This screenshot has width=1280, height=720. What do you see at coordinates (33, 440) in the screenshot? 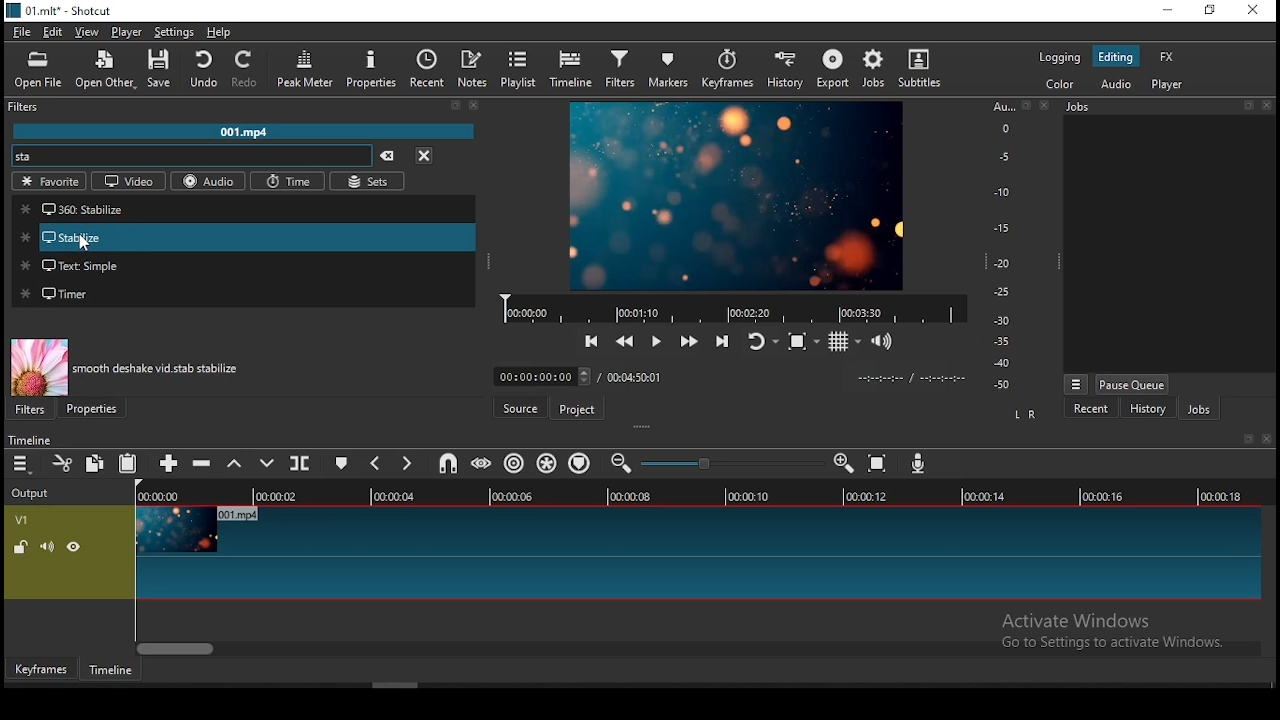
I see `Timeline` at bounding box center [33, 440].